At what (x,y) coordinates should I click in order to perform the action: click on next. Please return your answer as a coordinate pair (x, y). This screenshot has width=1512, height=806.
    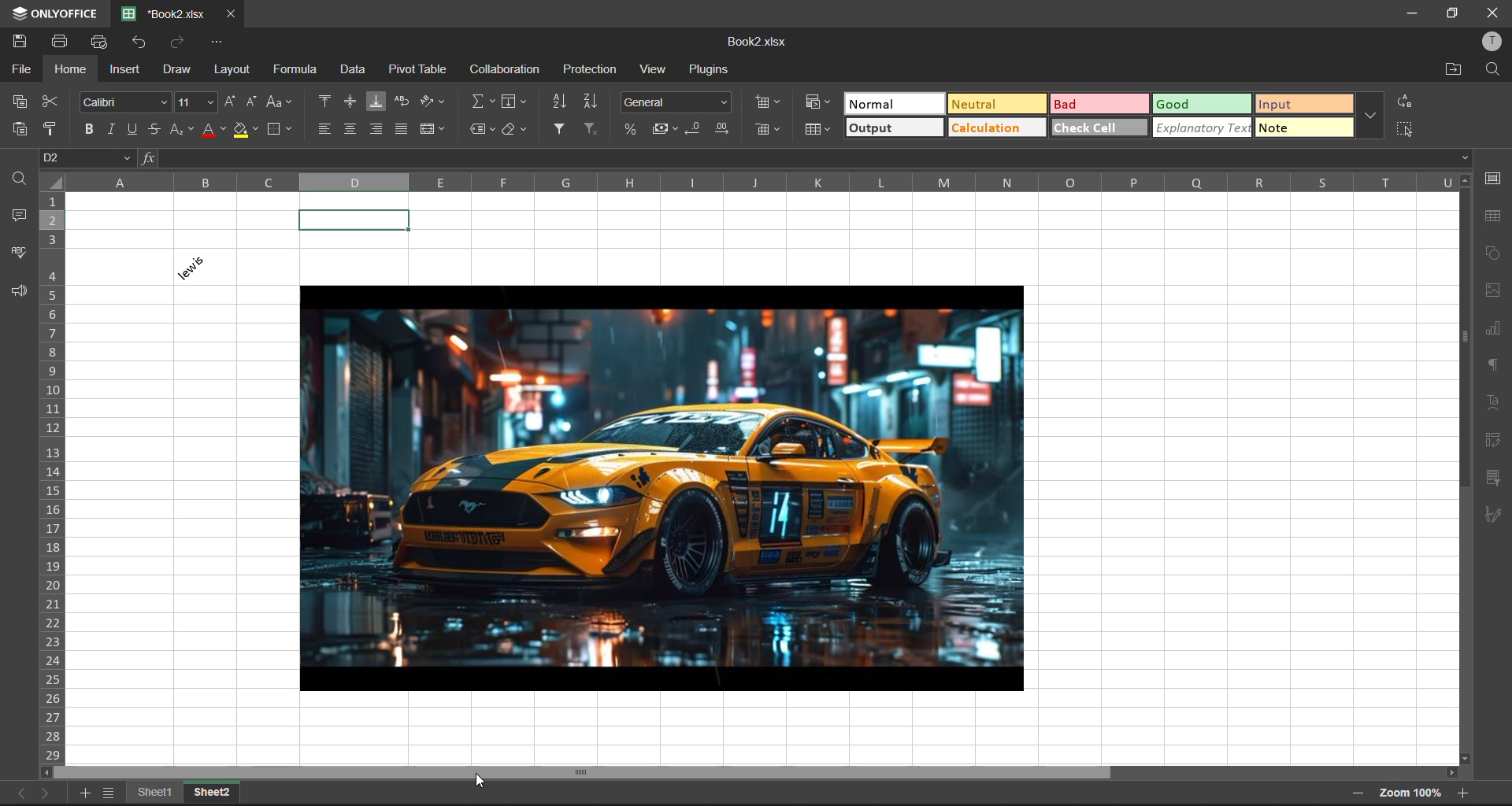
    Looking at the image, I should click on (49, 792).